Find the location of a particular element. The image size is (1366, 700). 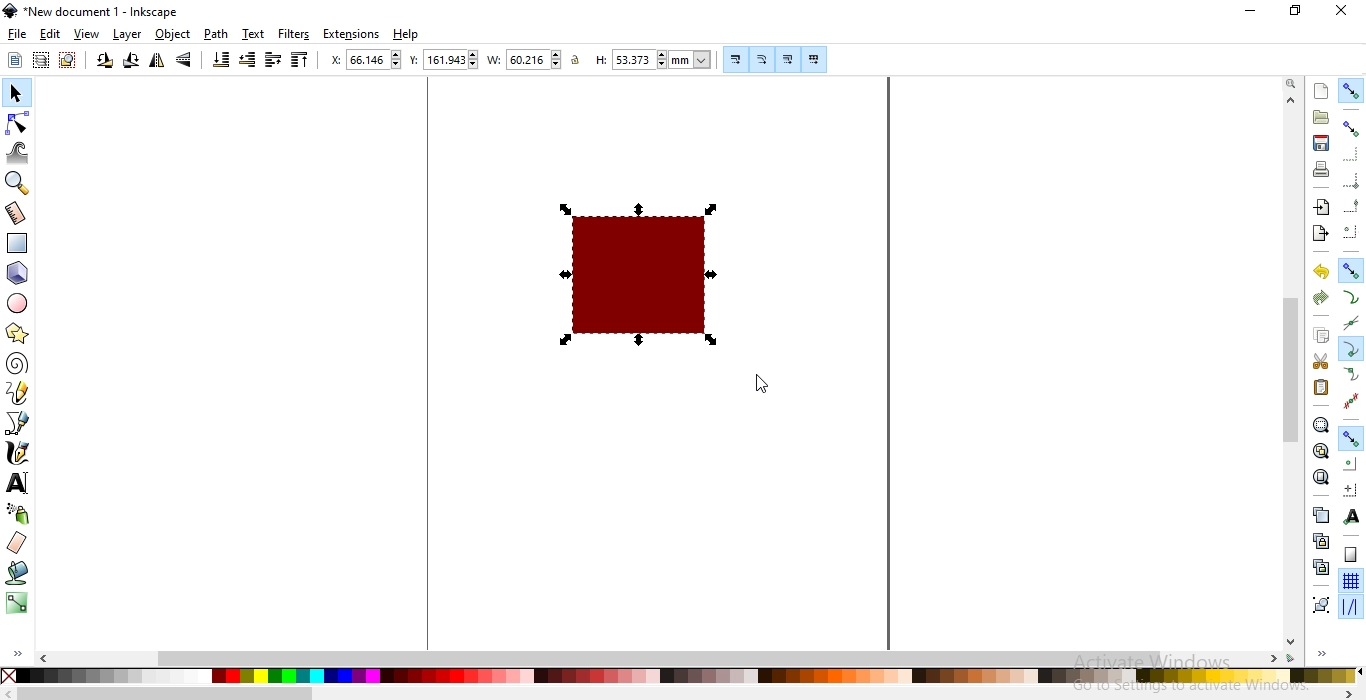

create stars and polygons is located at coordinates (16, 335).